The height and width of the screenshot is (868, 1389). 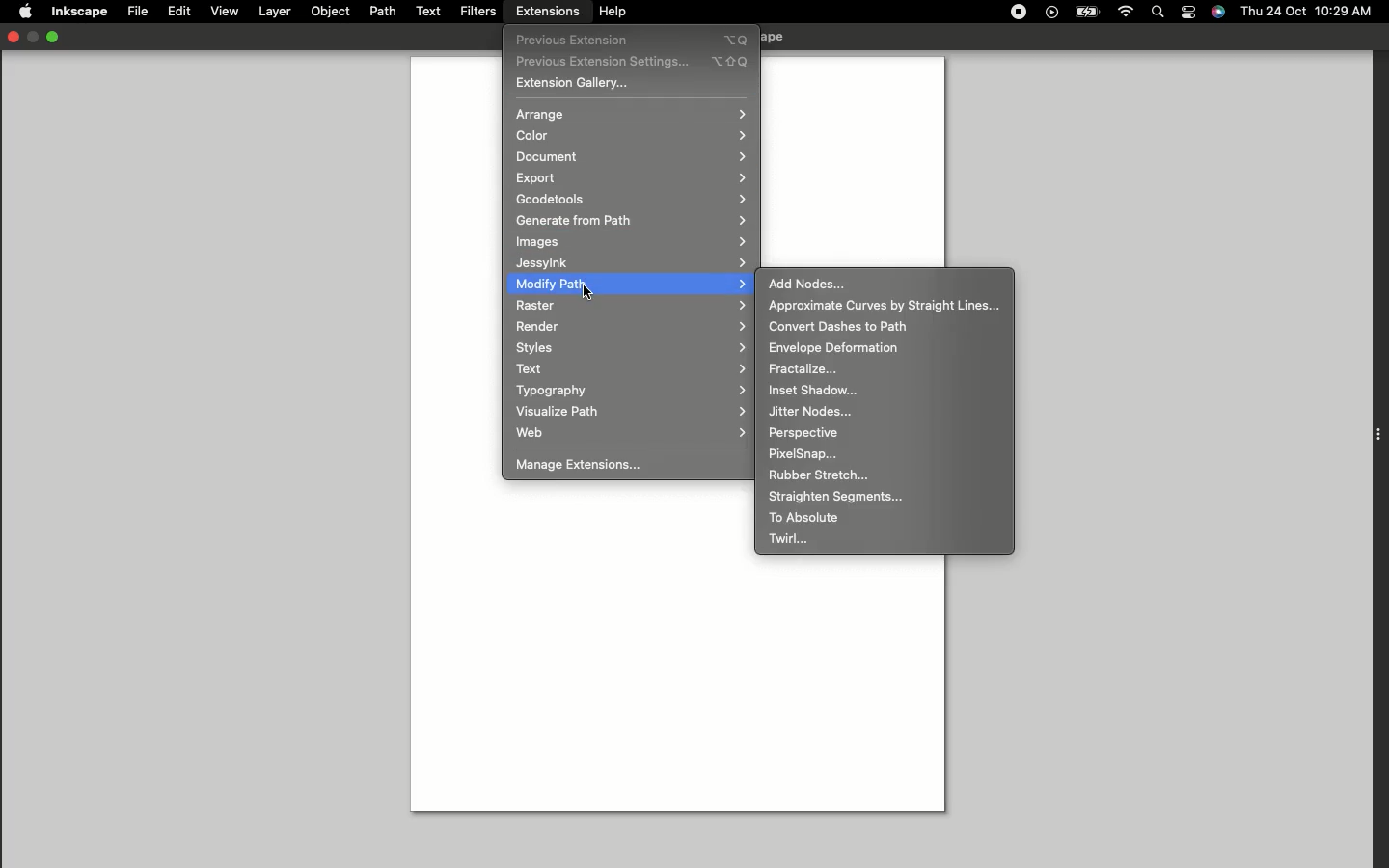 I want to click on Images, so click(x=630, y=244).